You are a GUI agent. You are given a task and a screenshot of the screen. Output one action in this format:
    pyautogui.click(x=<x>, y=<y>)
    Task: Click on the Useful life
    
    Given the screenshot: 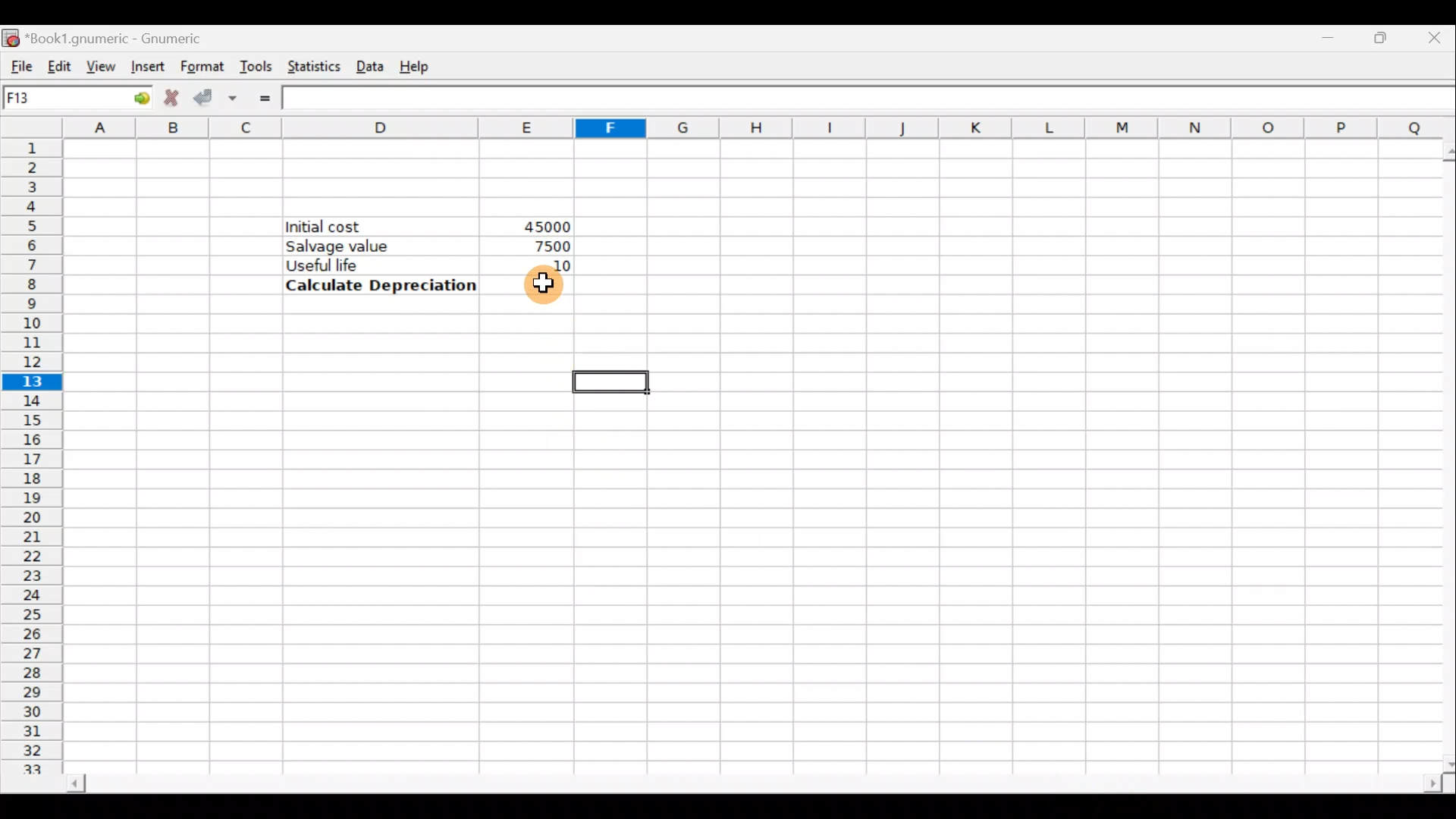 What is the action you would take?
    pyautogui.click(x=372, y=265)
    